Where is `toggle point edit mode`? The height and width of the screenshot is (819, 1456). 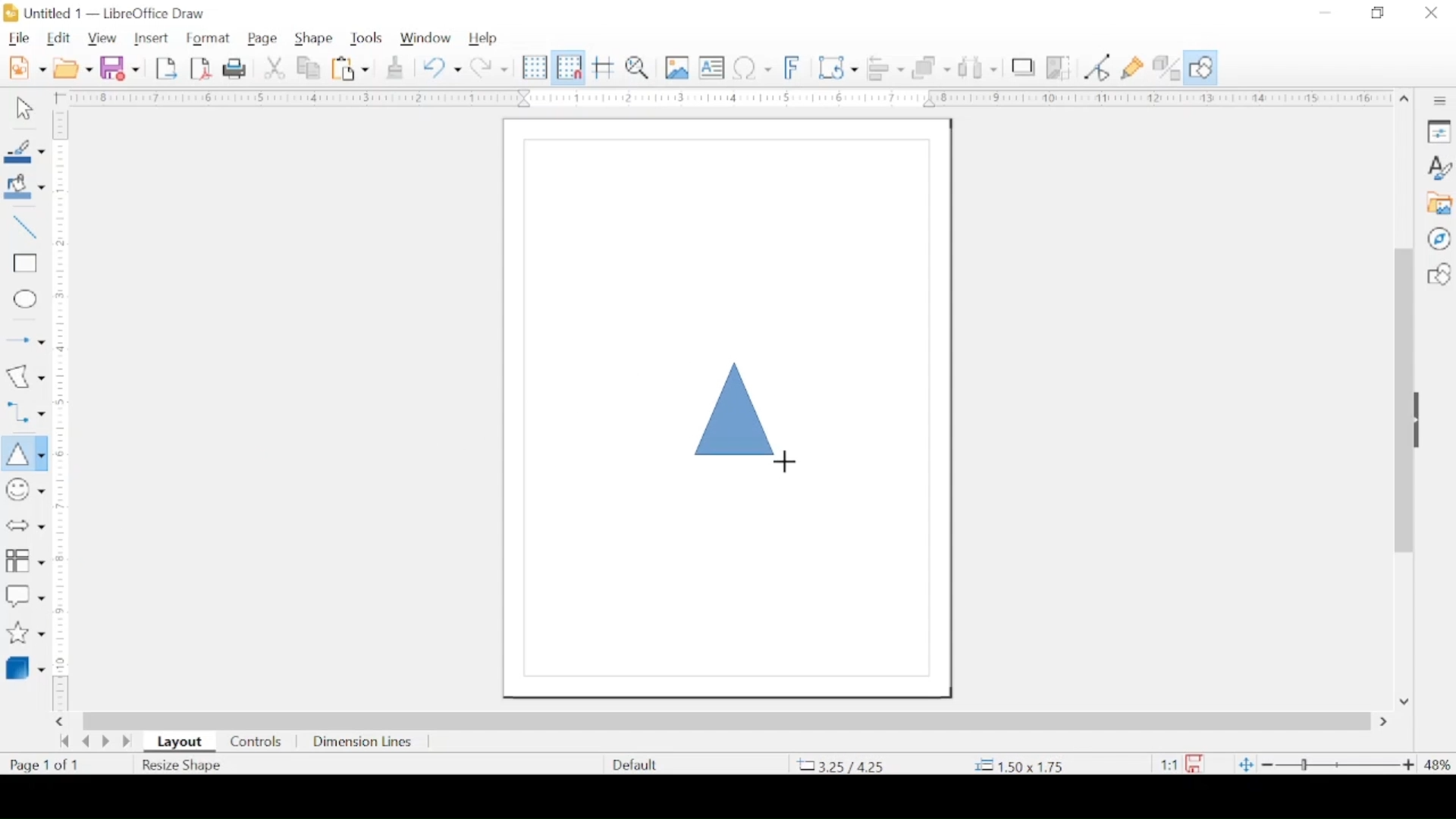 toggle point edit mode is located at coordinates (1097, 67).